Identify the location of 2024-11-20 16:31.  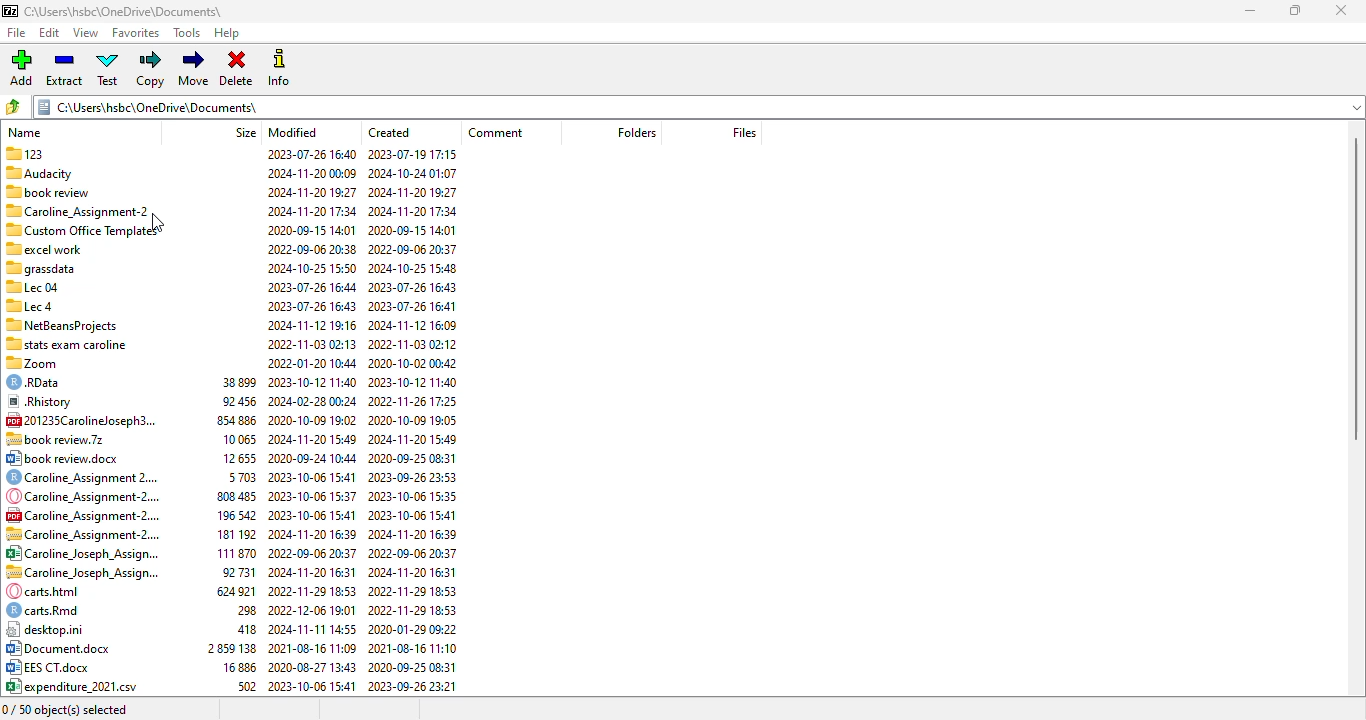
(412, 573).